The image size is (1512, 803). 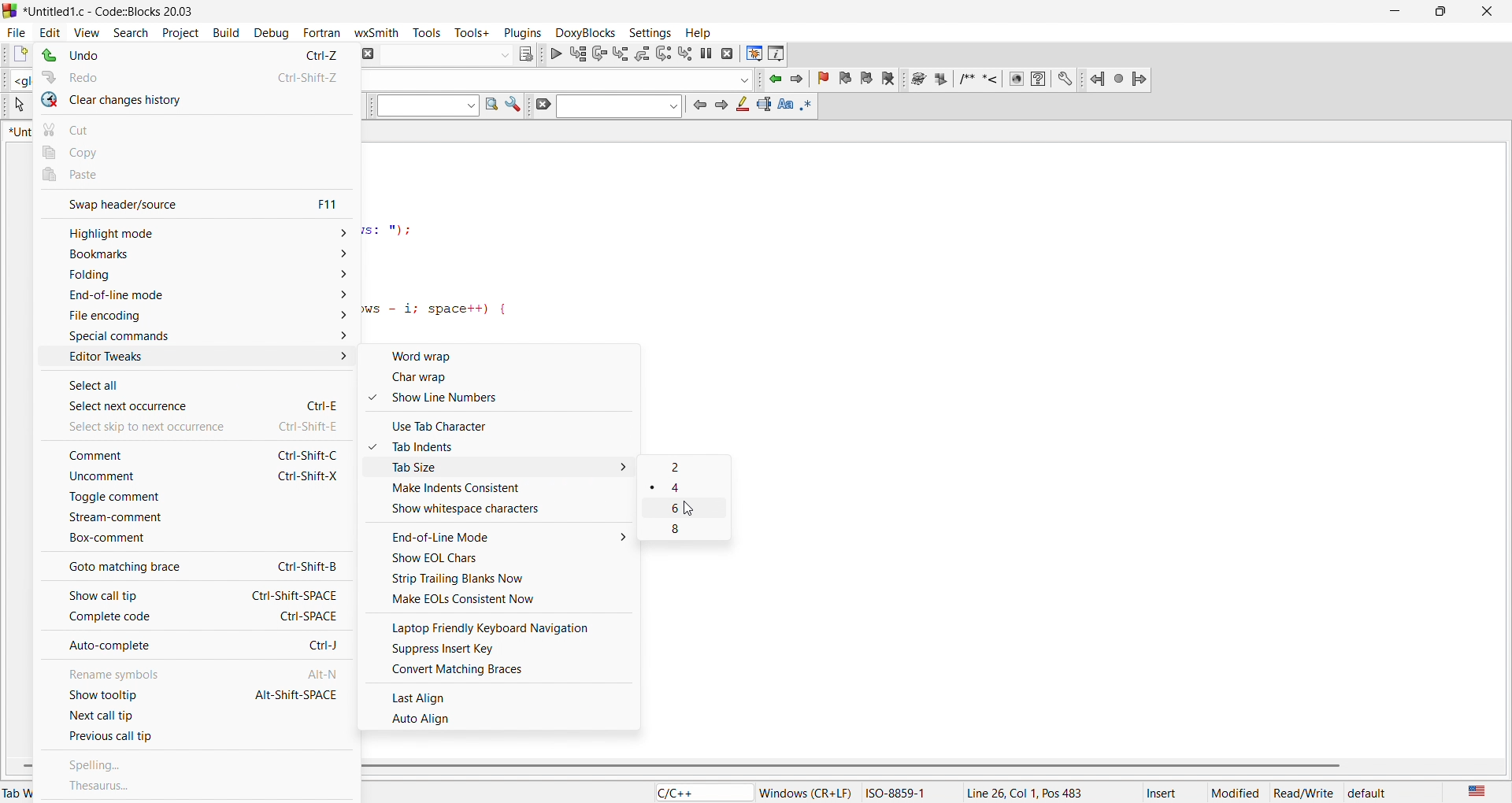 I want to click on Ctrl-E, so click(x=313, y=397).